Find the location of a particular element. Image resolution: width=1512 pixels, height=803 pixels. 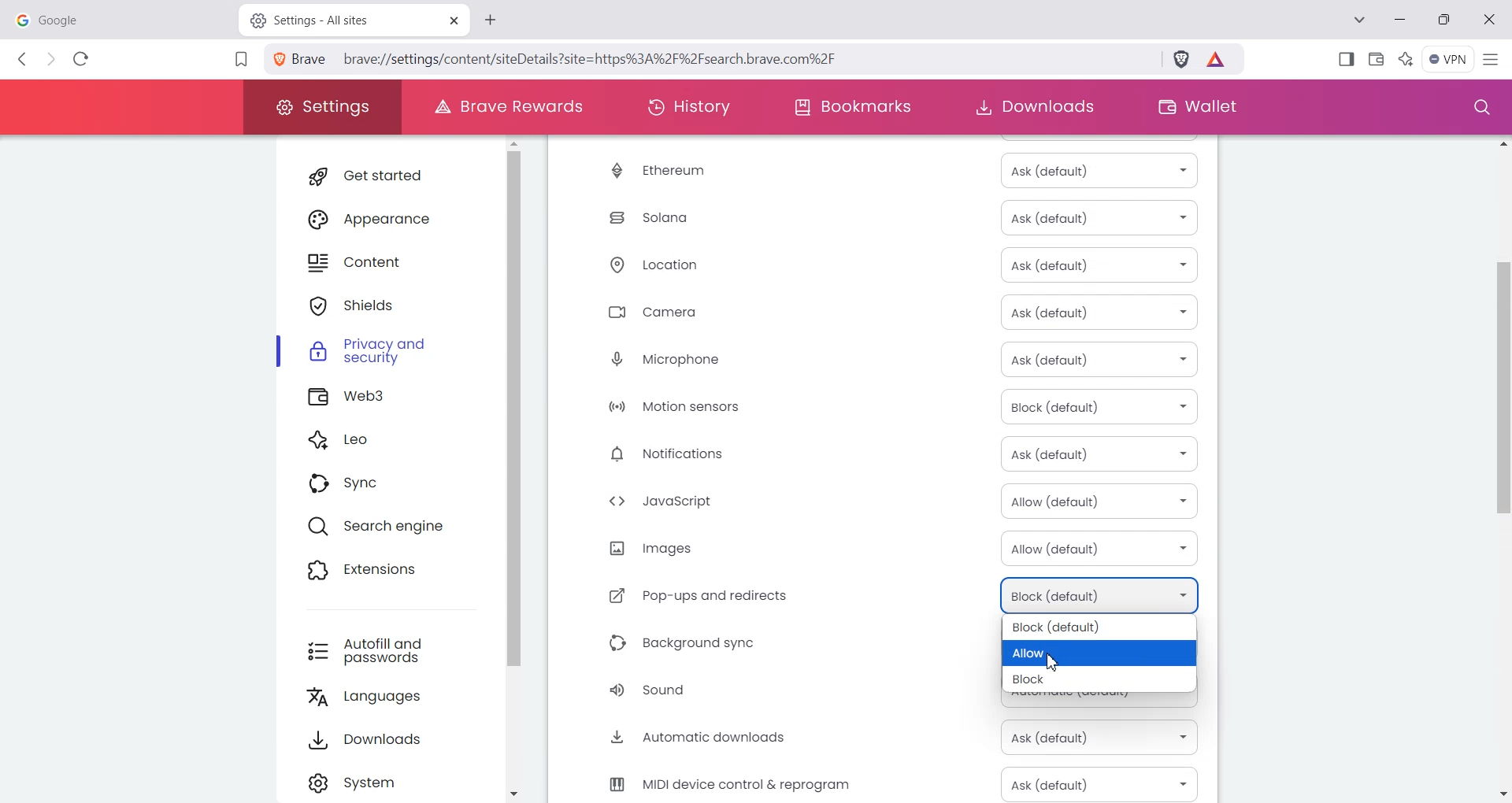

Get started is located at coordinates (387, 176).